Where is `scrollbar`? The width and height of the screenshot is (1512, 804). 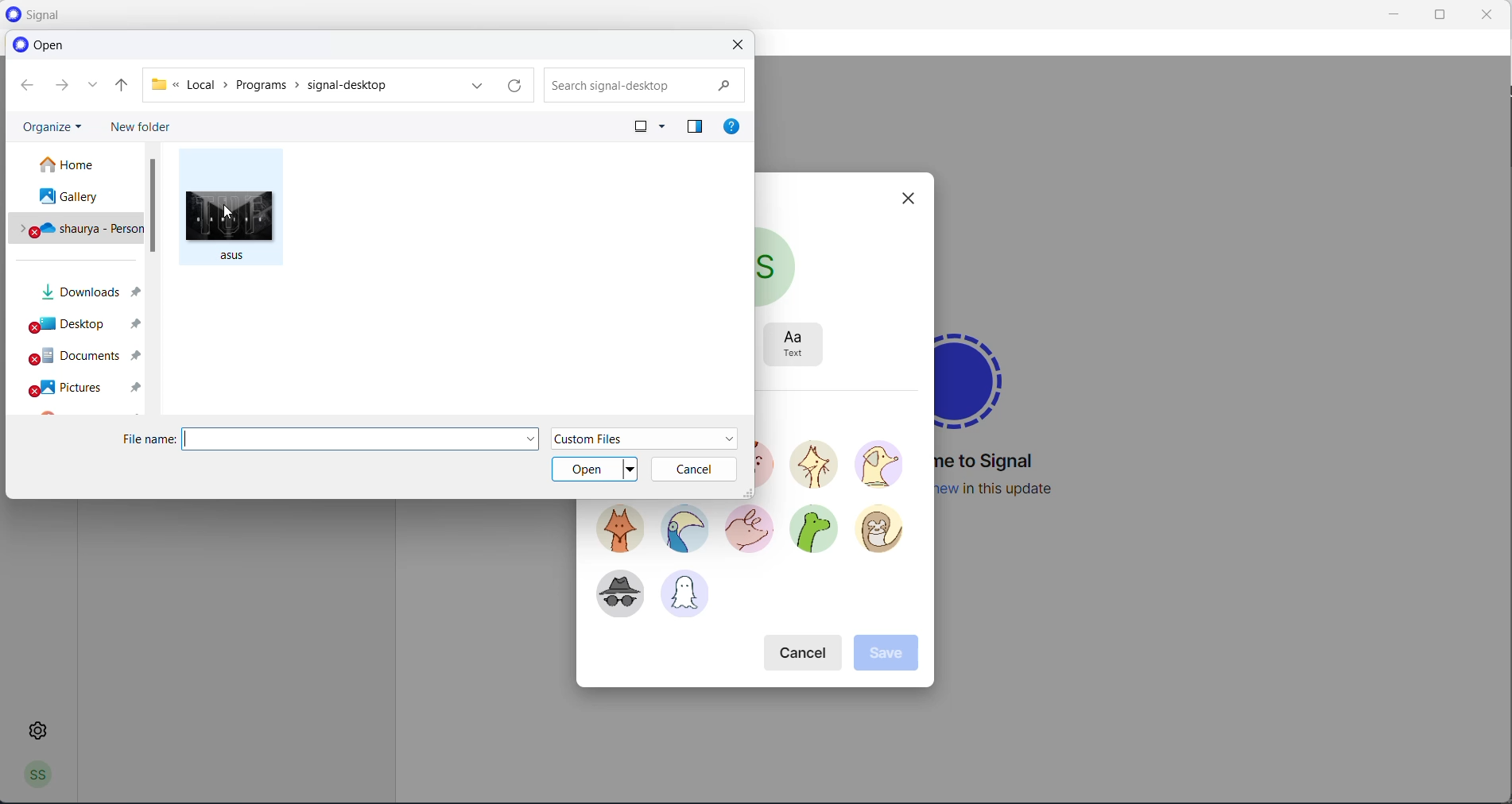 scrollbar is located at coordinates (157, 208).